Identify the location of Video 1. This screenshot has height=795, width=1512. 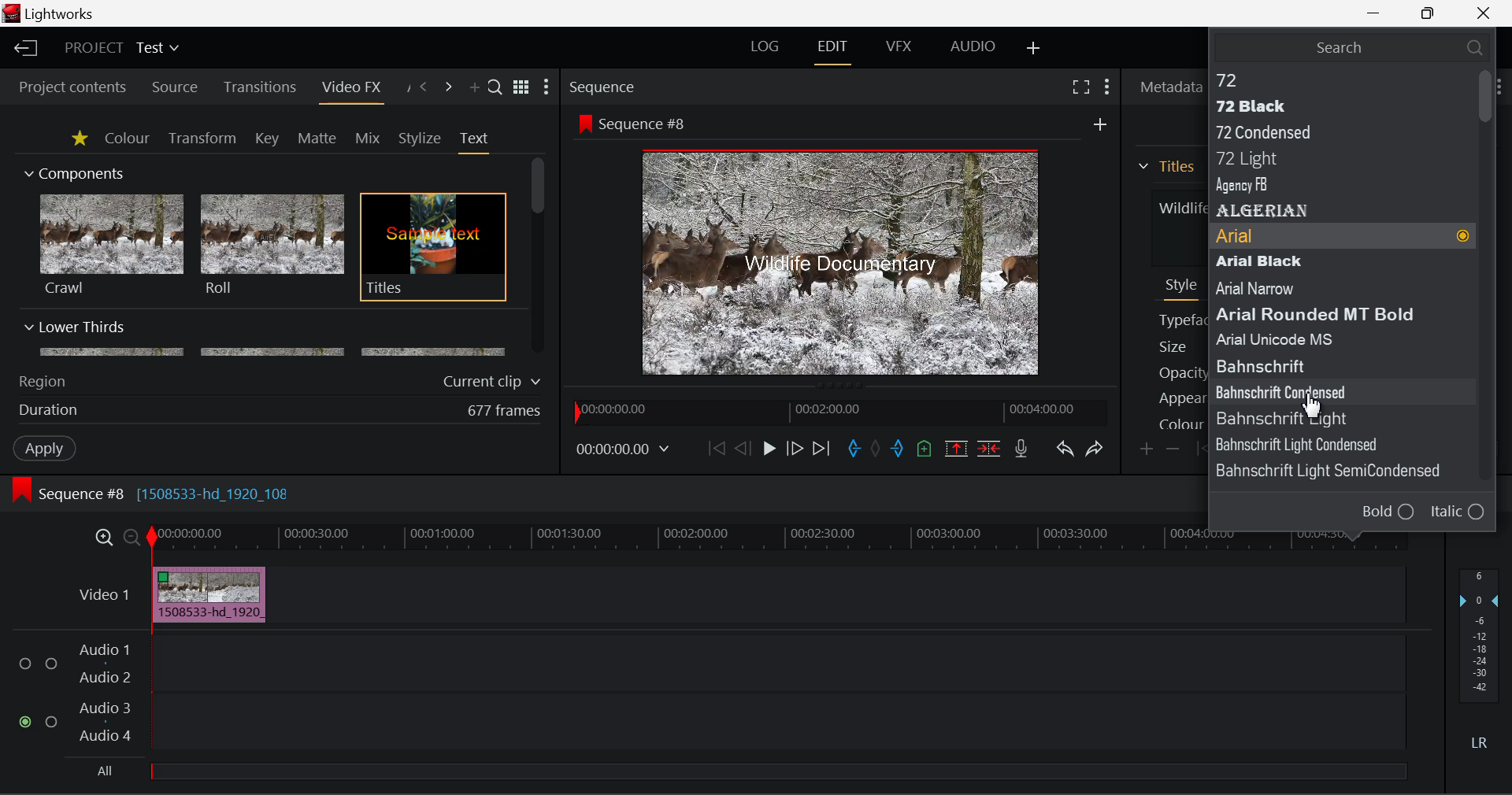
(106, 594).